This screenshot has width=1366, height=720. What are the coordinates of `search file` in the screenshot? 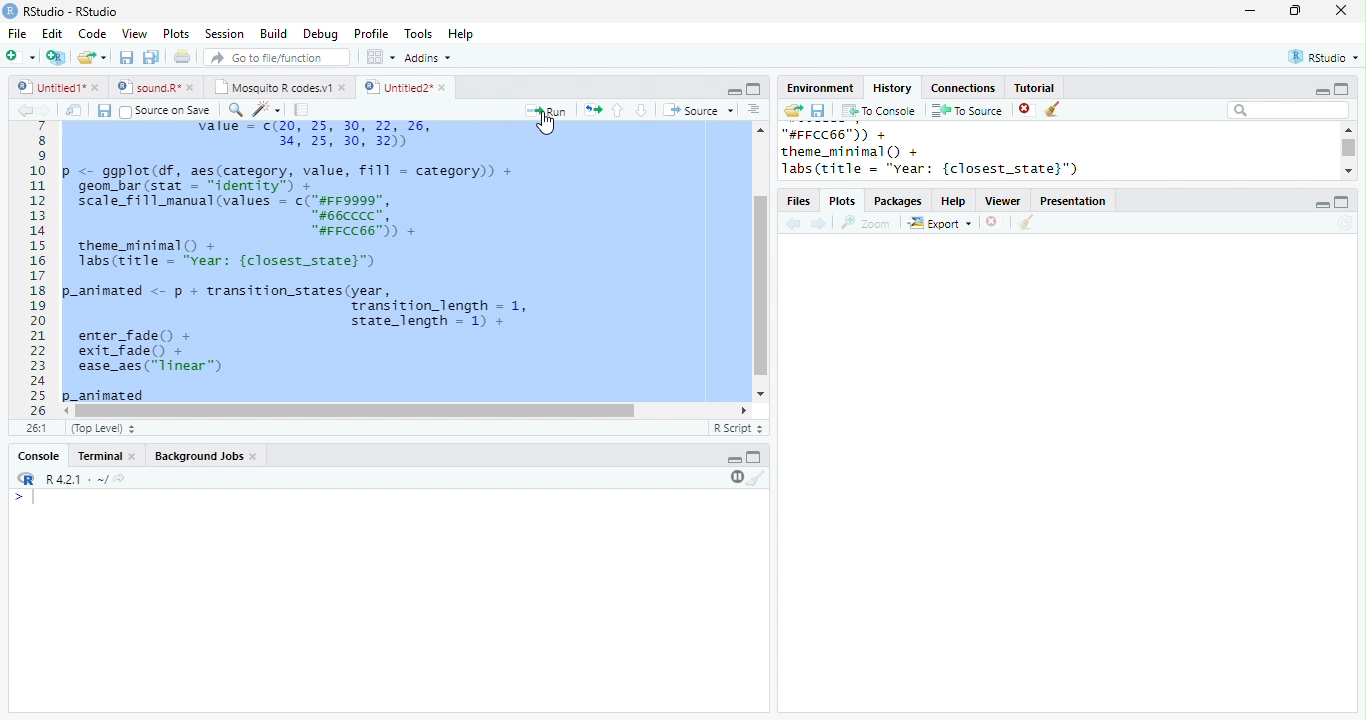 It's located at (275, 57).